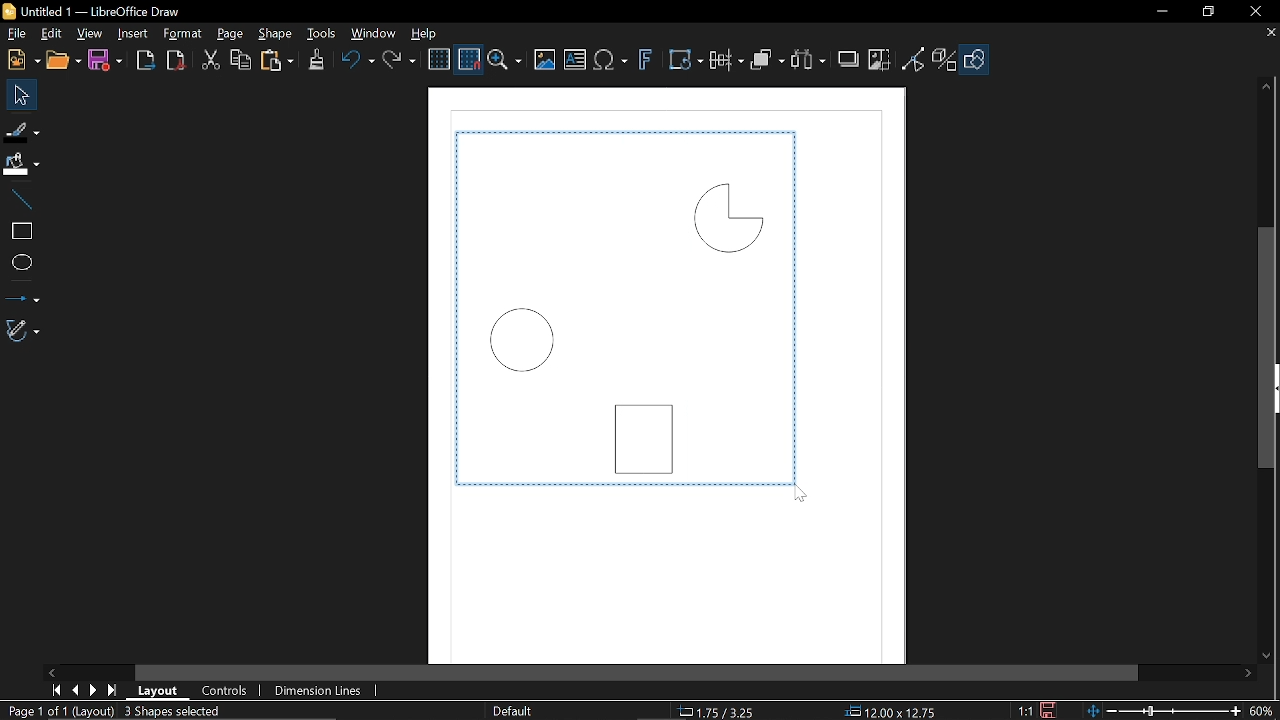  What do you see at coordinates (114, 690) in the screenshot?
I see `last page` at bounding box center [114, 690].